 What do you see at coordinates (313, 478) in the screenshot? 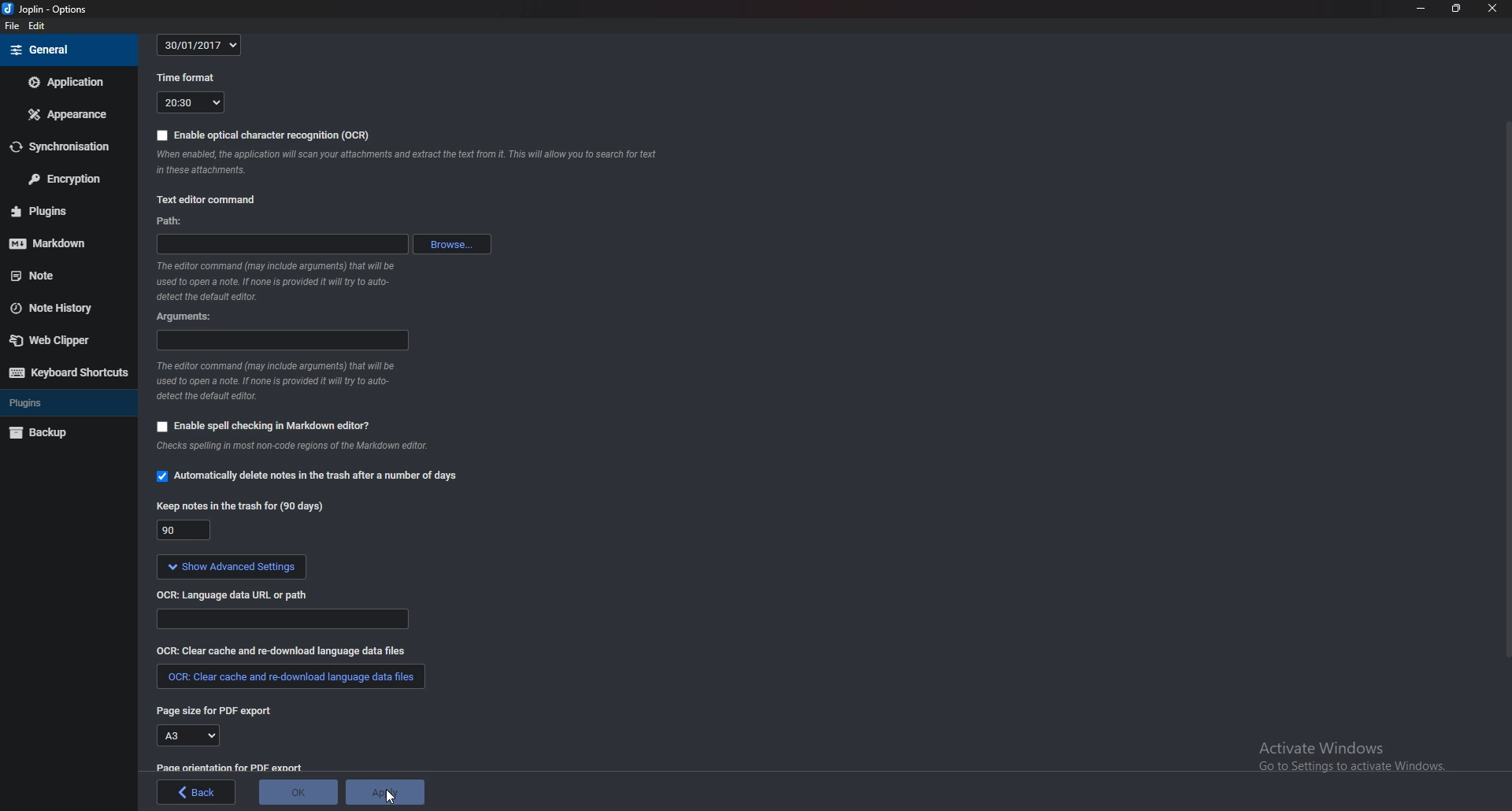
I see `Automatically delete notes` at bounding box center [313, 478].